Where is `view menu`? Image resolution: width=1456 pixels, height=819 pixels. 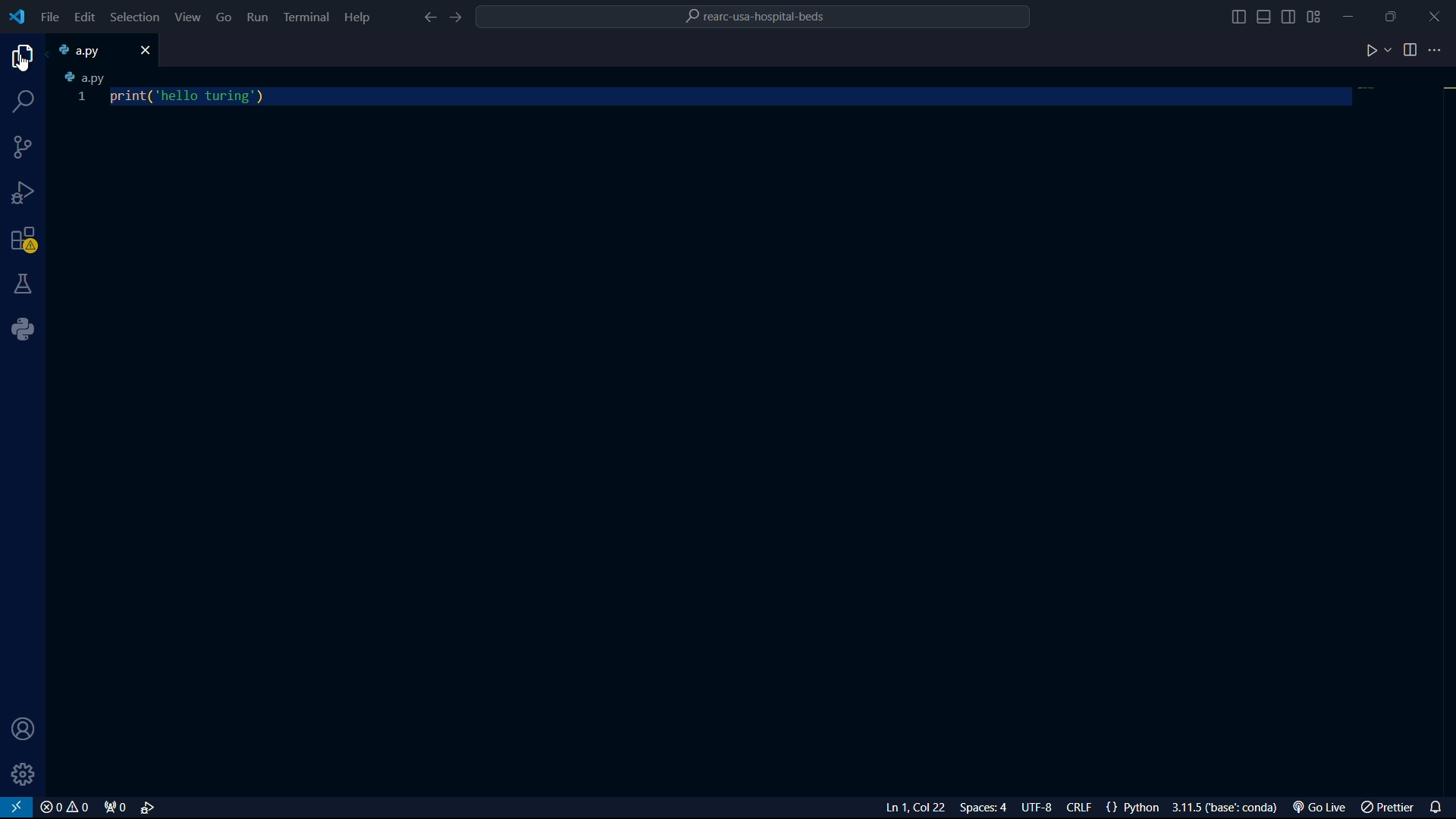
view menu is located at coordinates (187, 17).